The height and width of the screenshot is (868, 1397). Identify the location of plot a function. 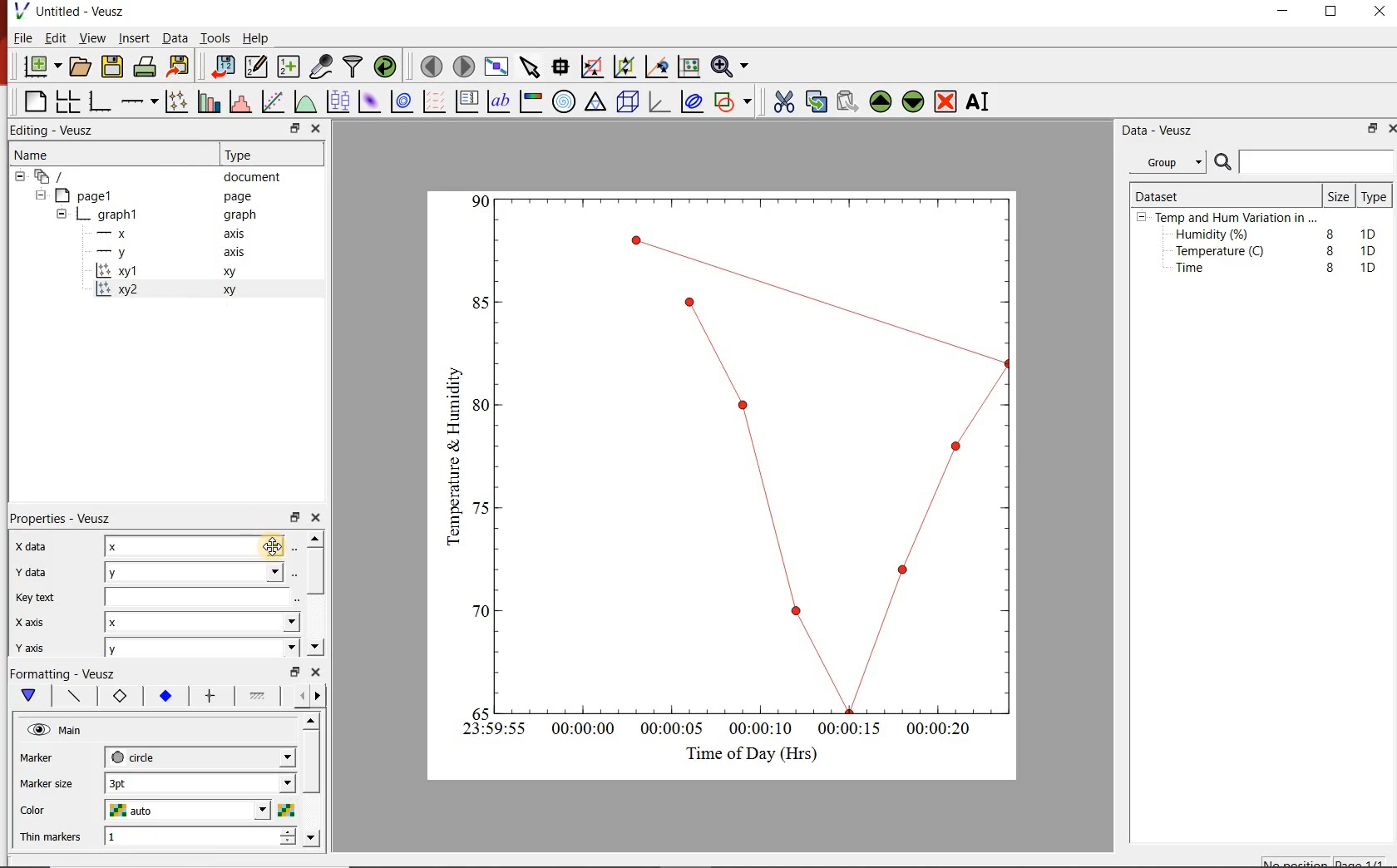
(307, 104).